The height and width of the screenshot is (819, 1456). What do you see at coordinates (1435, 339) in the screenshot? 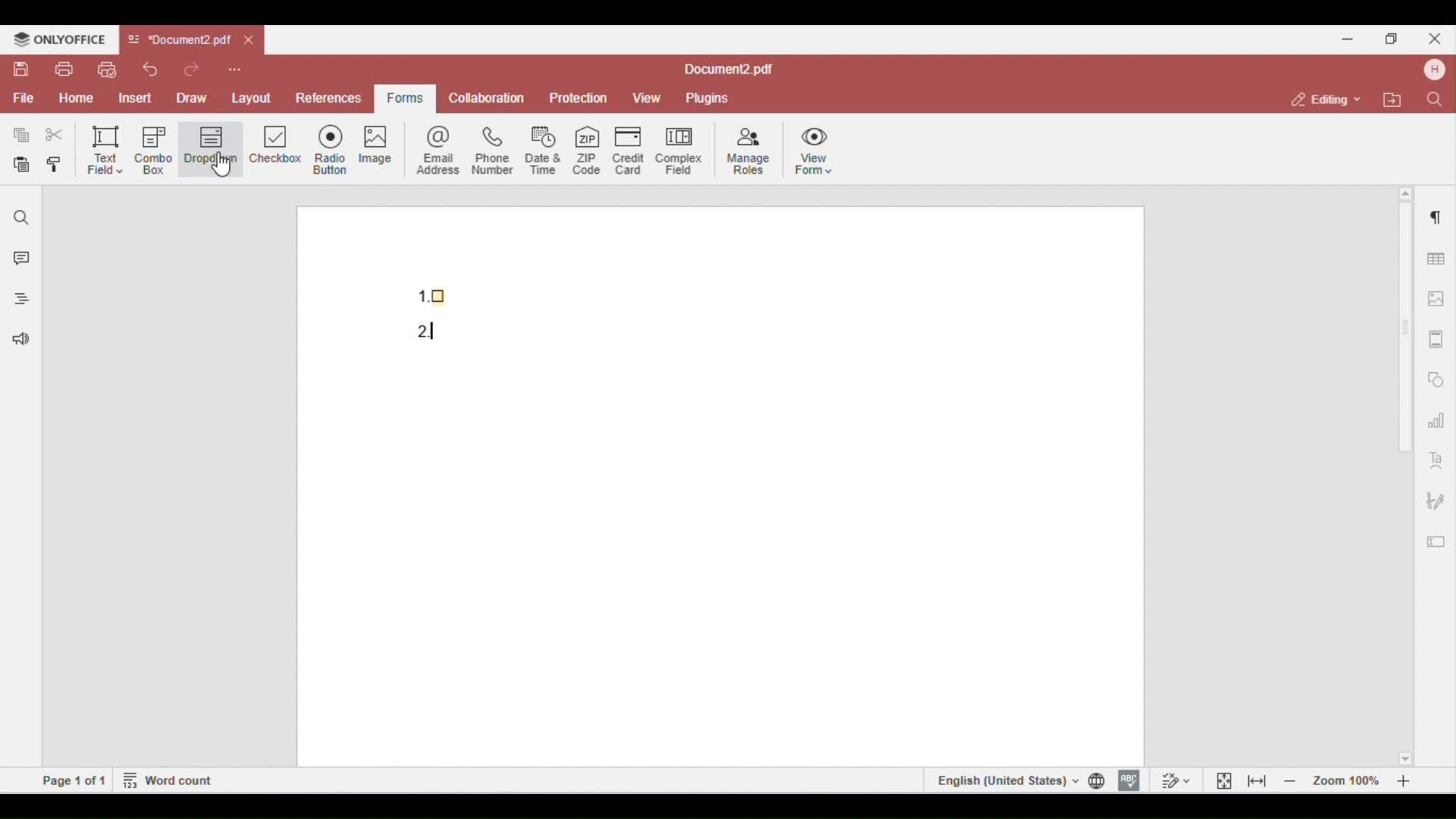
I see `header and footer settings` at bounding box center [1435, 339].